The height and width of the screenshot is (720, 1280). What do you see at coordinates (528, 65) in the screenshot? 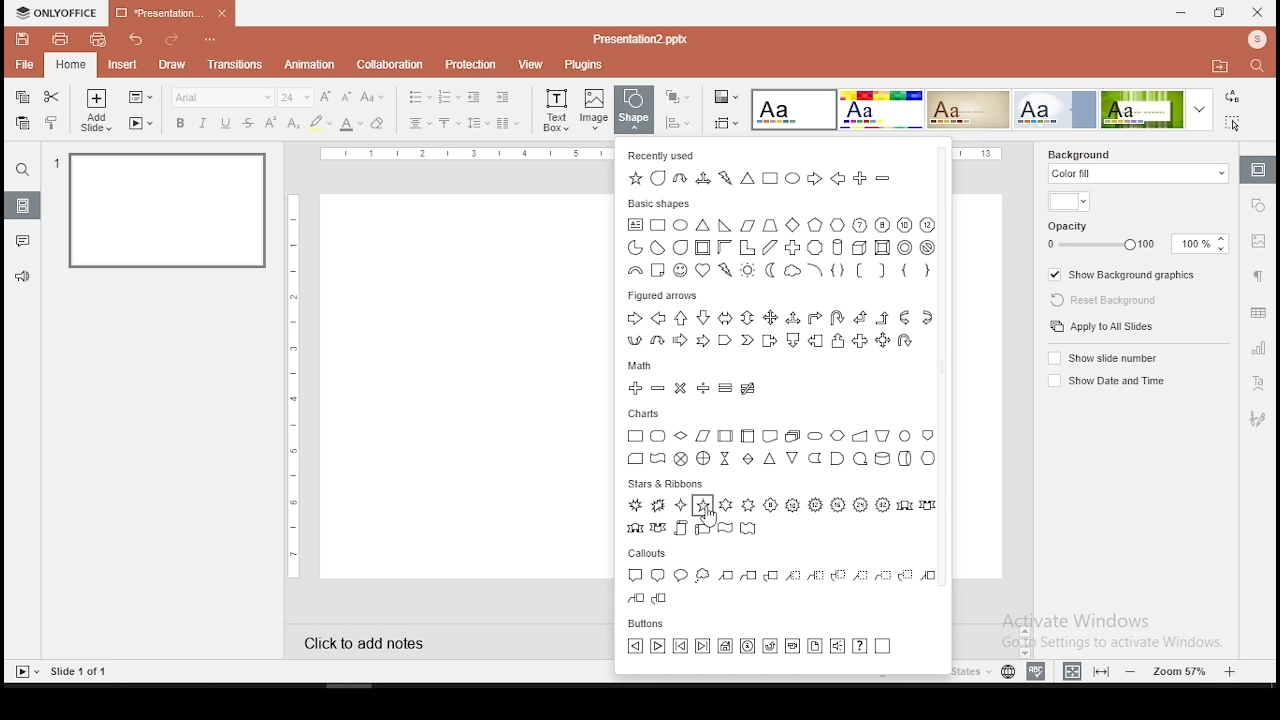
I see `view` at bounding box center [528, 65].